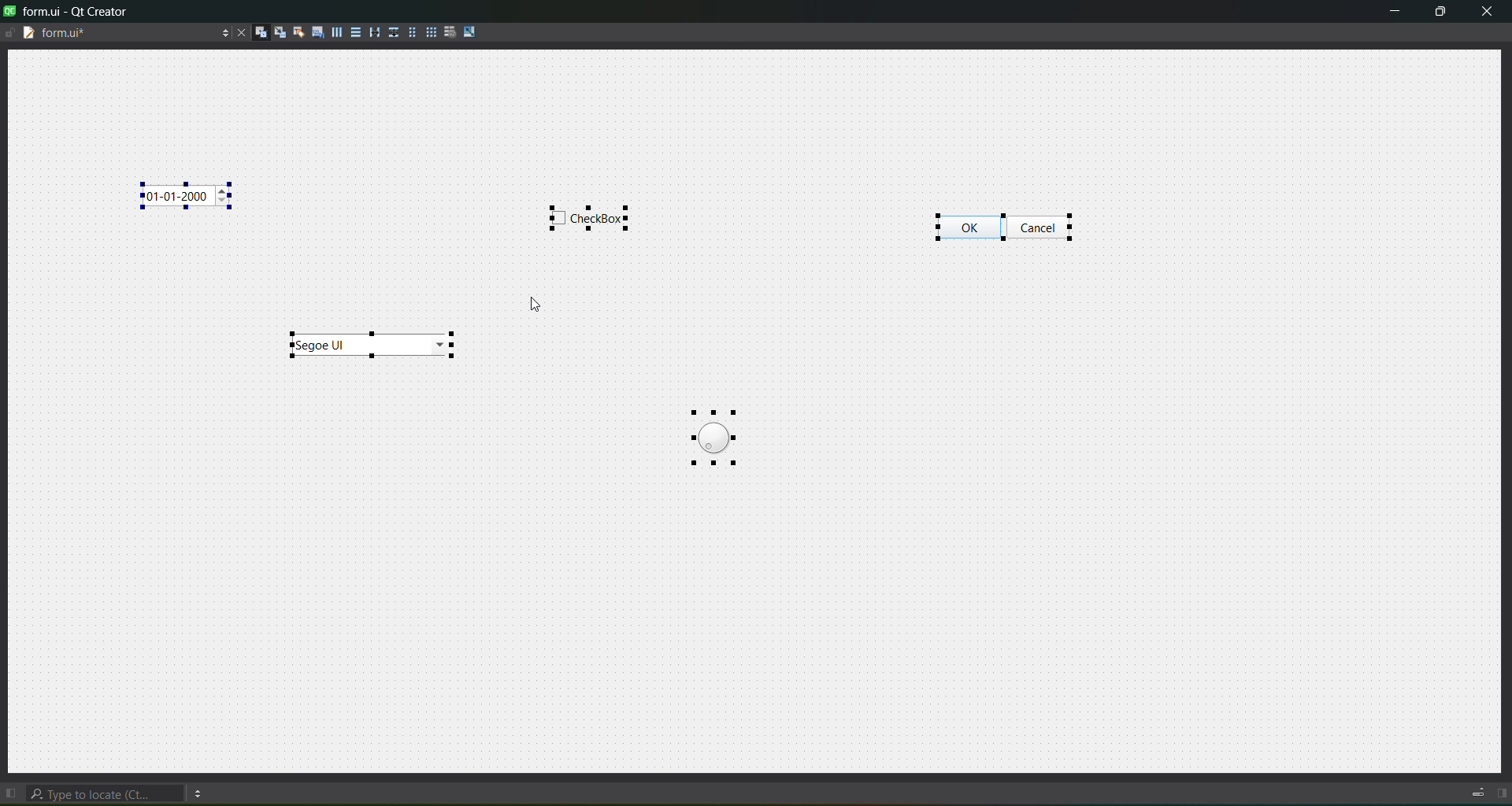 This screenshot has height=806, width=1512. I want to click on Selected Widgets, so click(375, 345).